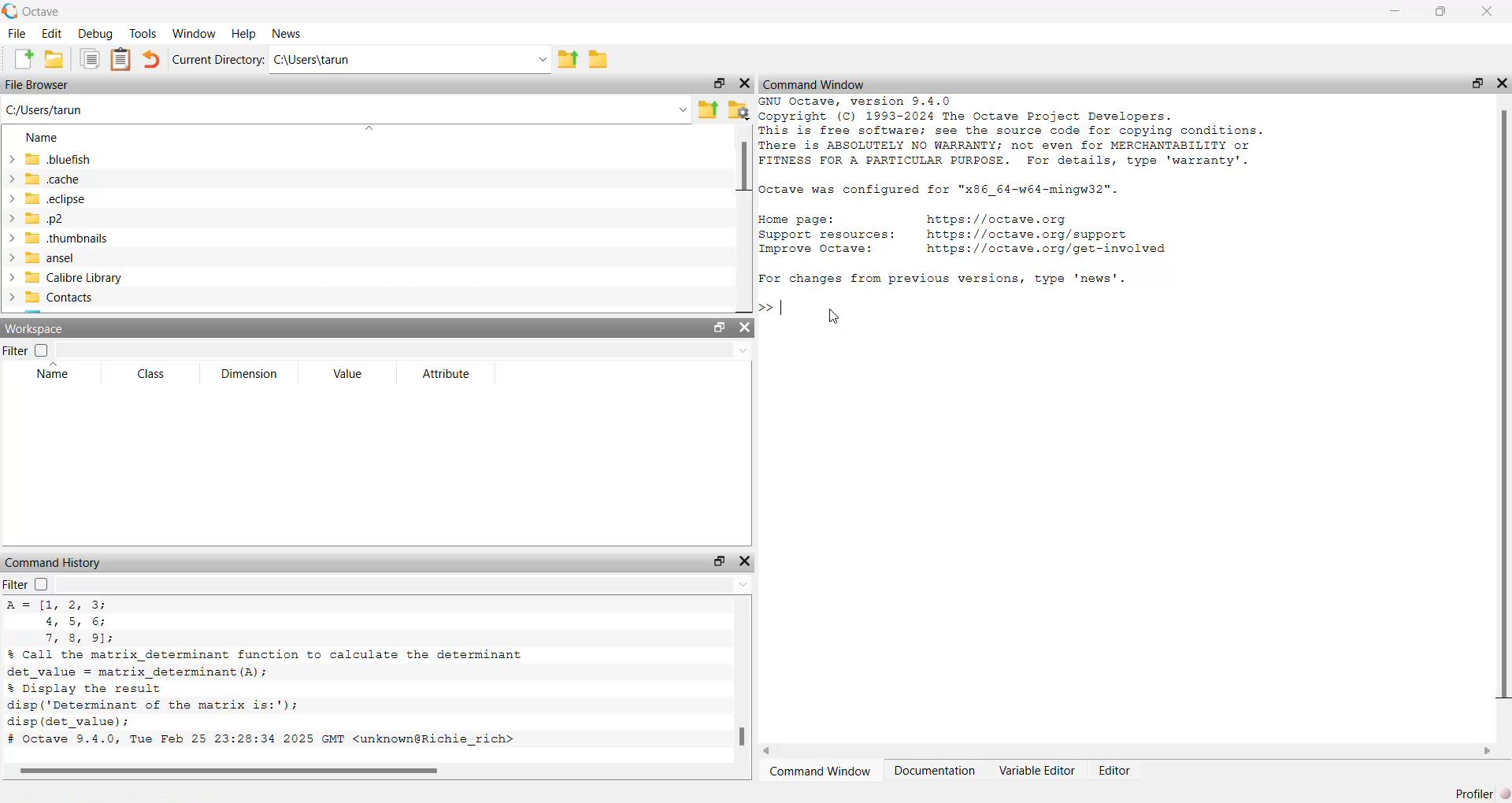 This screenshot has height=803, width=1512. What do you see at coordinates (719, 561) in the screenshot?
I see `maximize` at bounding box center [719, 561].